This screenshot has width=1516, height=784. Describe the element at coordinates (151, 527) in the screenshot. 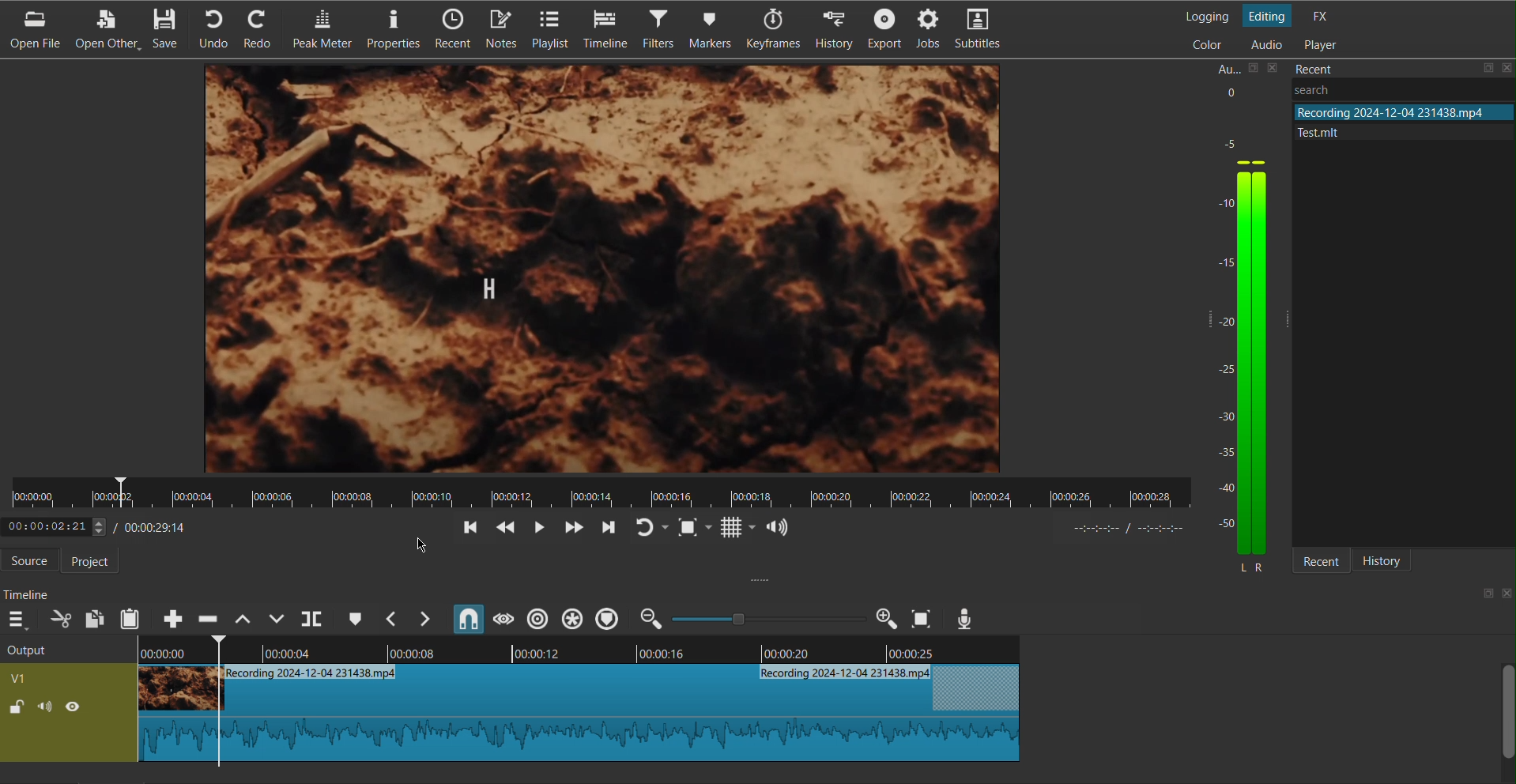

I see `Timestamp` at that location.